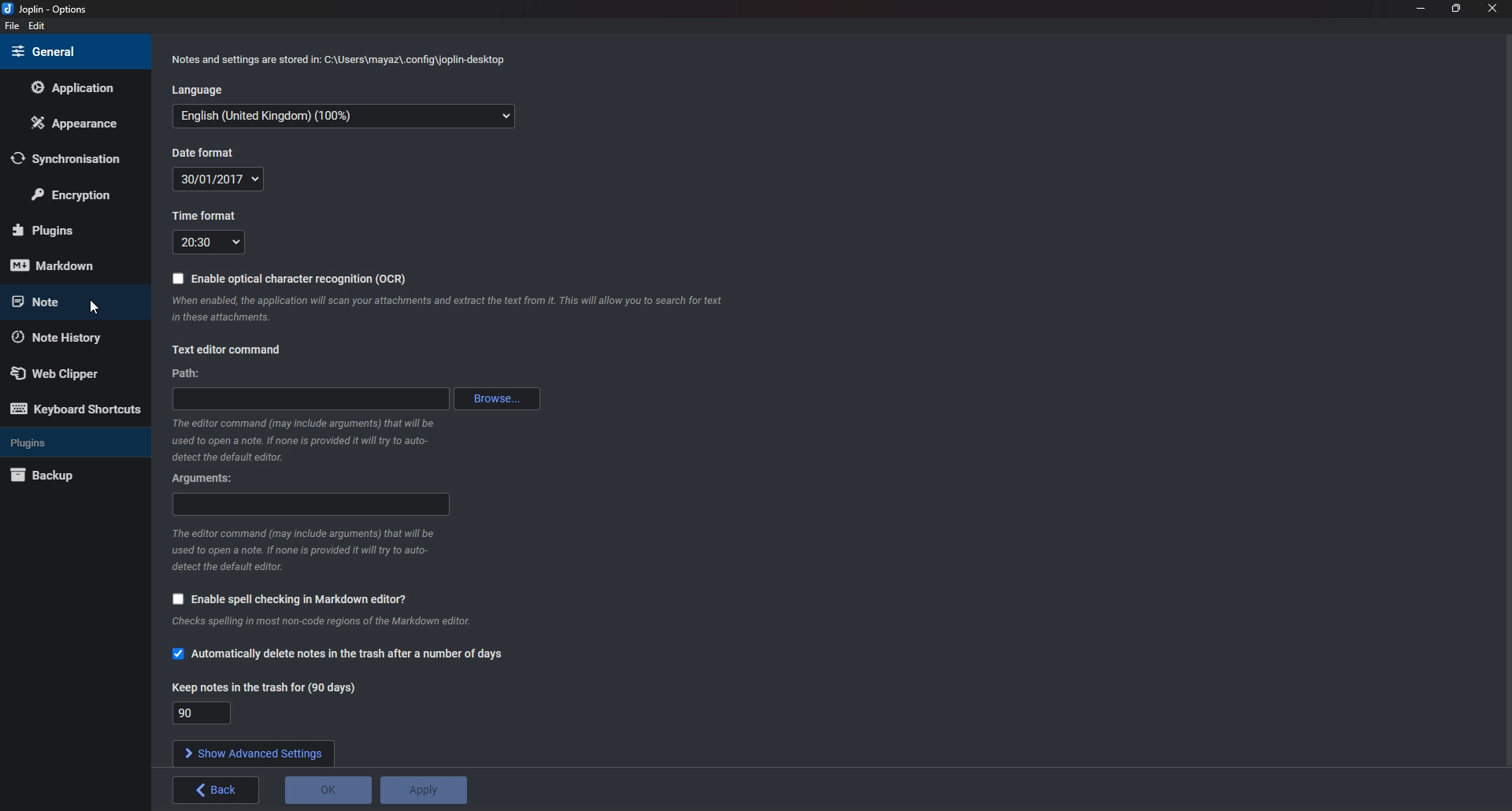  What do you see at coordinates (302, 441) in the screenshot?
I see `Info` at bounding box center [302, 441].